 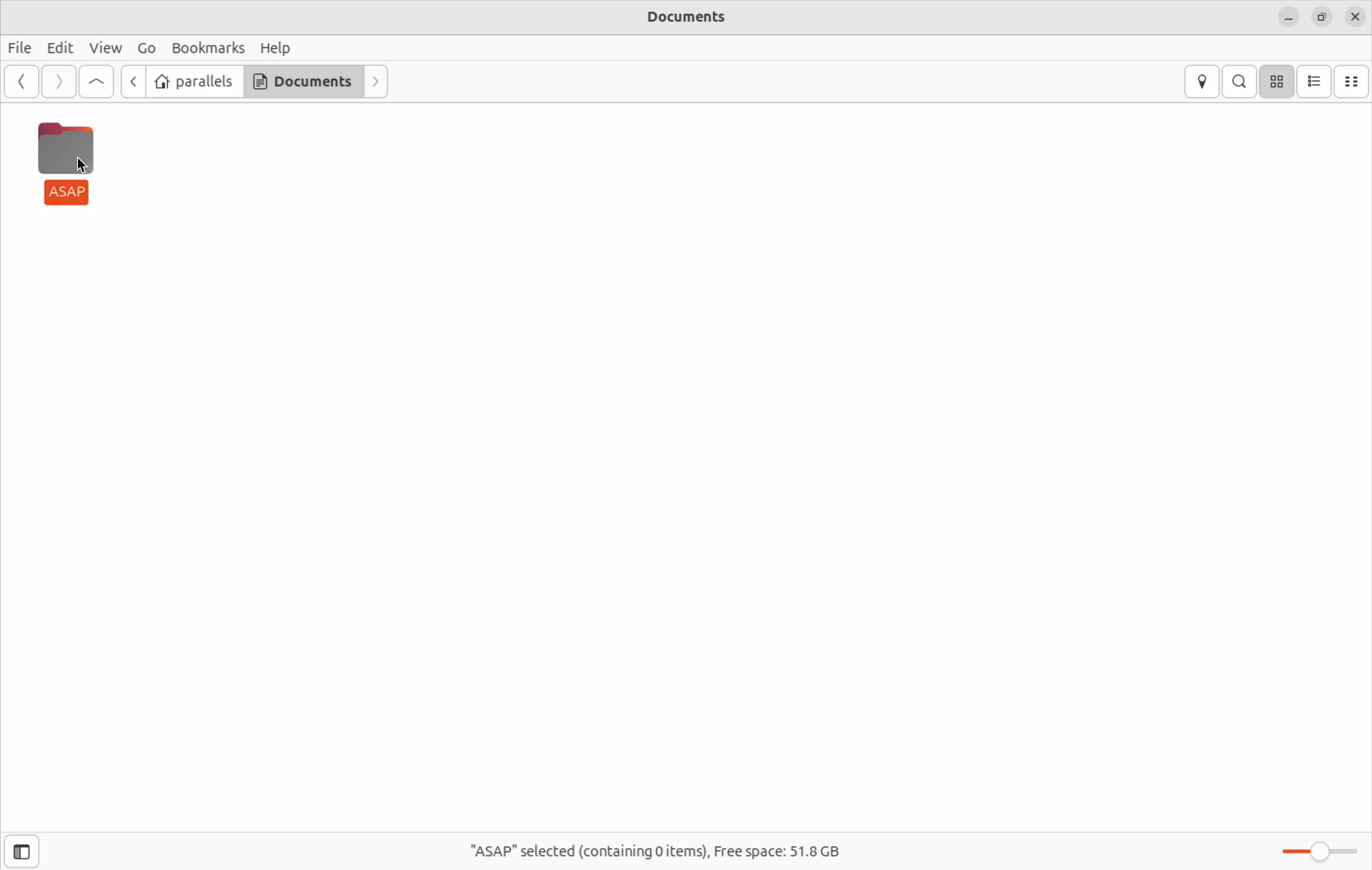 What do you see at coordinates (144, 47) in the screenshot?
I see `Go` at bounding box center [144, 47].